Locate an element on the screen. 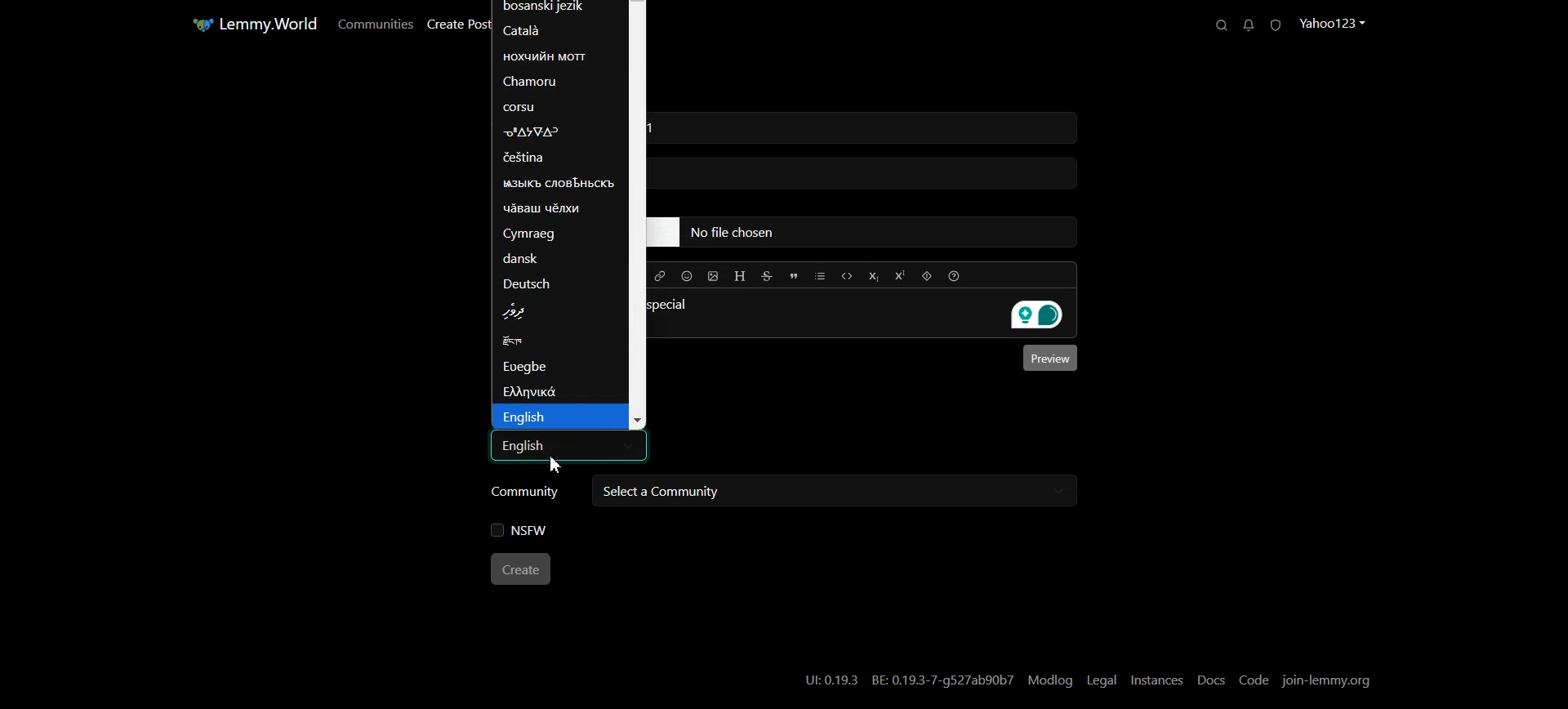  Header is located at coordinates (740, 276).